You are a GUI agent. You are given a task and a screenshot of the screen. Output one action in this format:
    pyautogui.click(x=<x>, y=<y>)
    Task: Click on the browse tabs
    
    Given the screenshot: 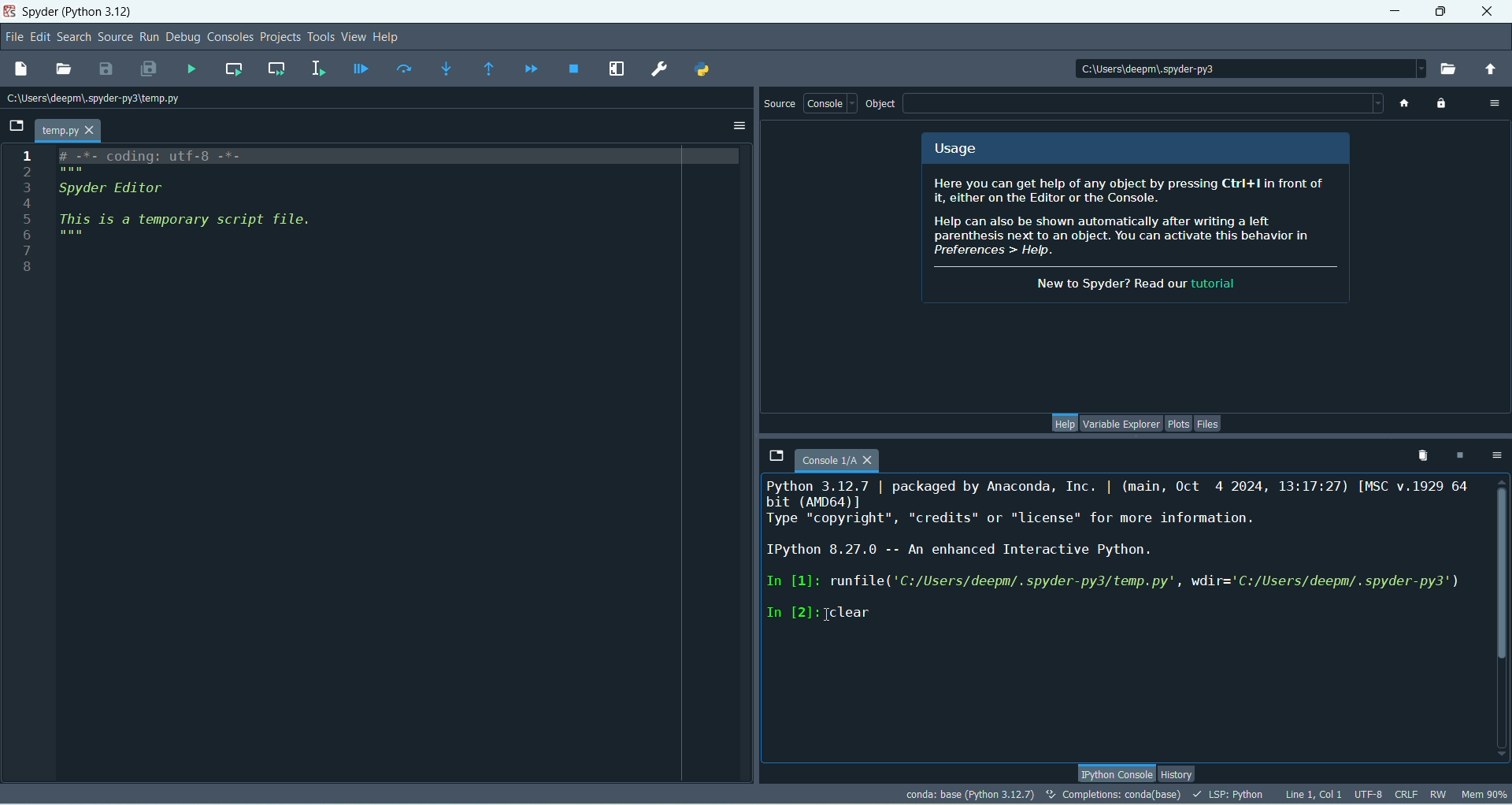 What is the action you would take?
    pyautogui.click(x=777, y=458)
    